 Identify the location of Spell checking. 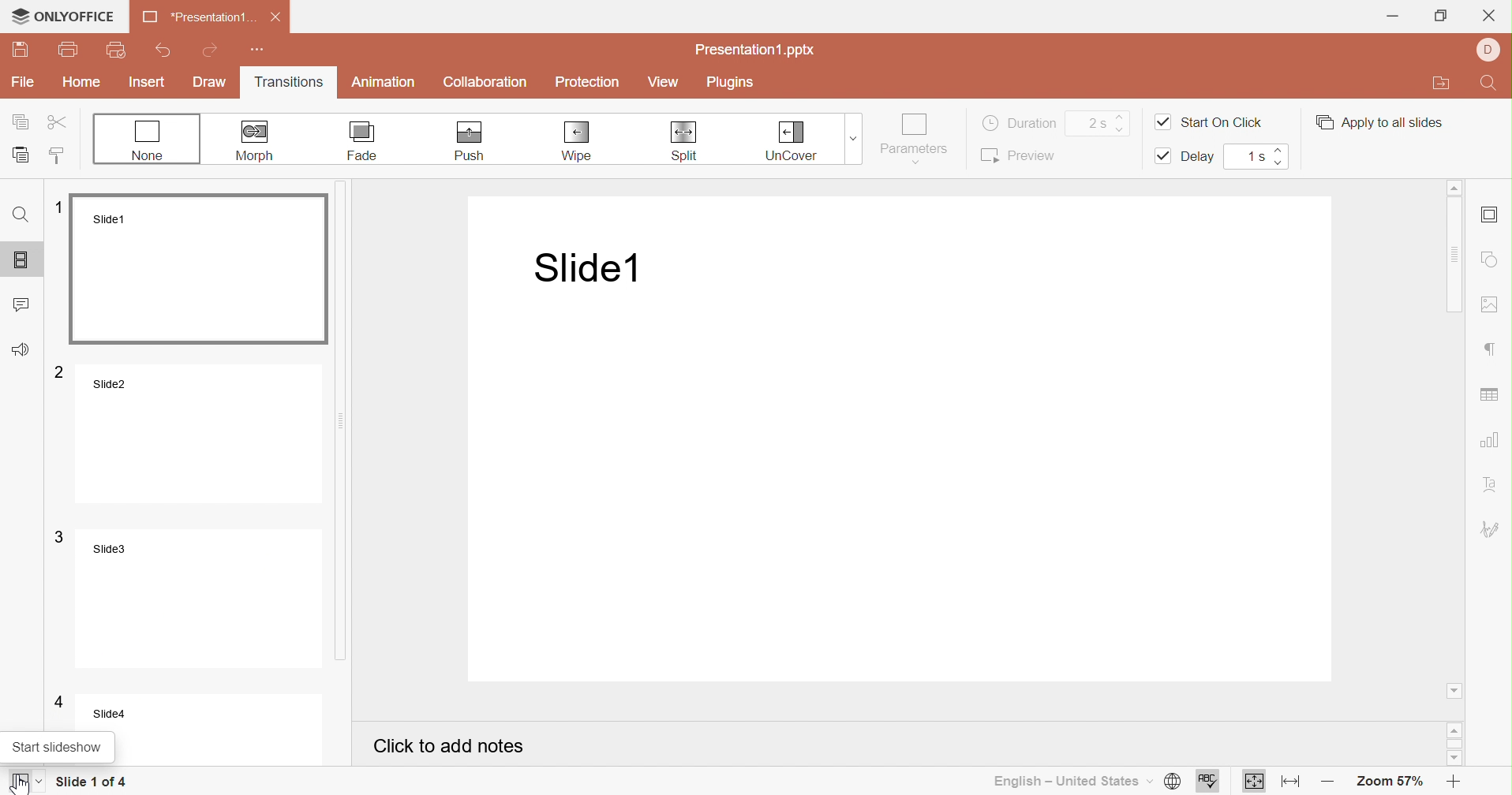
(1208, 782).